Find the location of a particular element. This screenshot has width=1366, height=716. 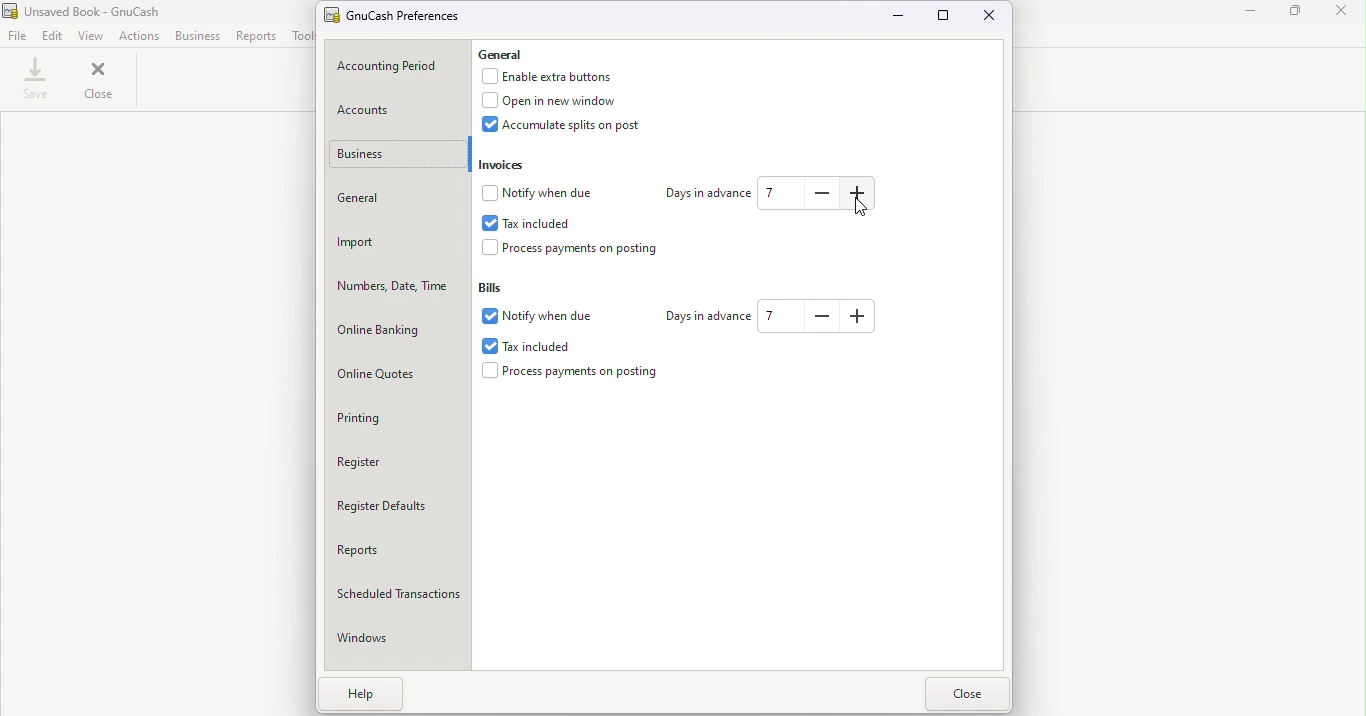

how many days in the future to warn about bills coming due is located at coordinates (859, 316).